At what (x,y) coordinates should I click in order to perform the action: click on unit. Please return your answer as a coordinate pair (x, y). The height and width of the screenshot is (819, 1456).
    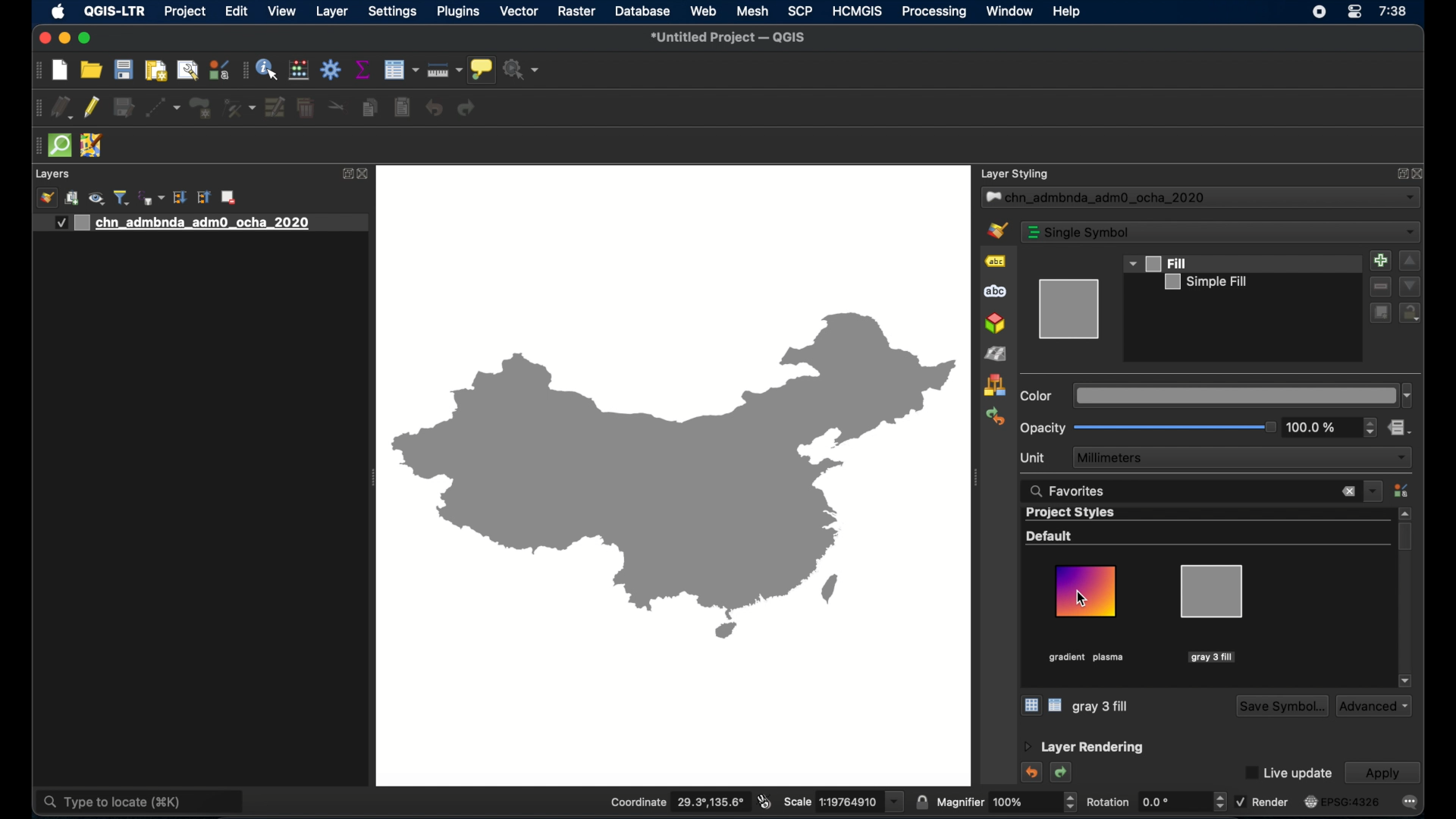
    Looking at the image, I should click on (1032, 458).